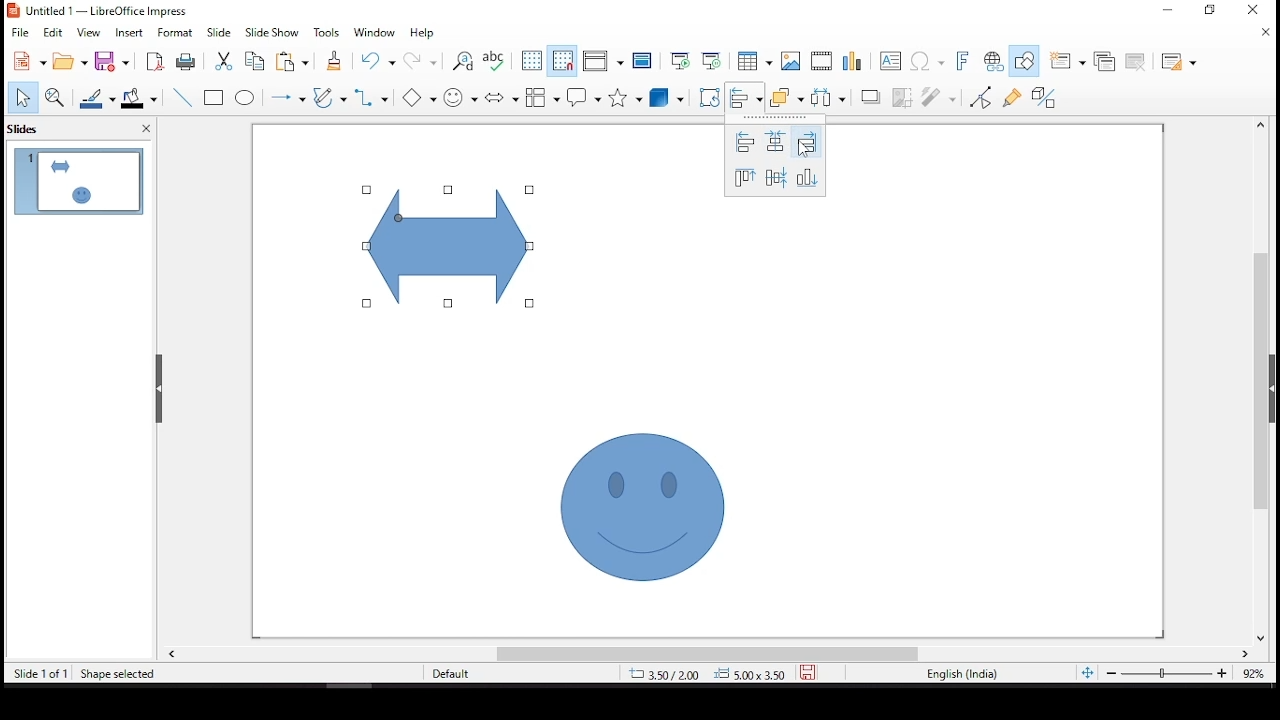 Image resolution: width=1280 pixels, height=720 pixels. I want to click on 6.07/4.08, so click(665, 674).